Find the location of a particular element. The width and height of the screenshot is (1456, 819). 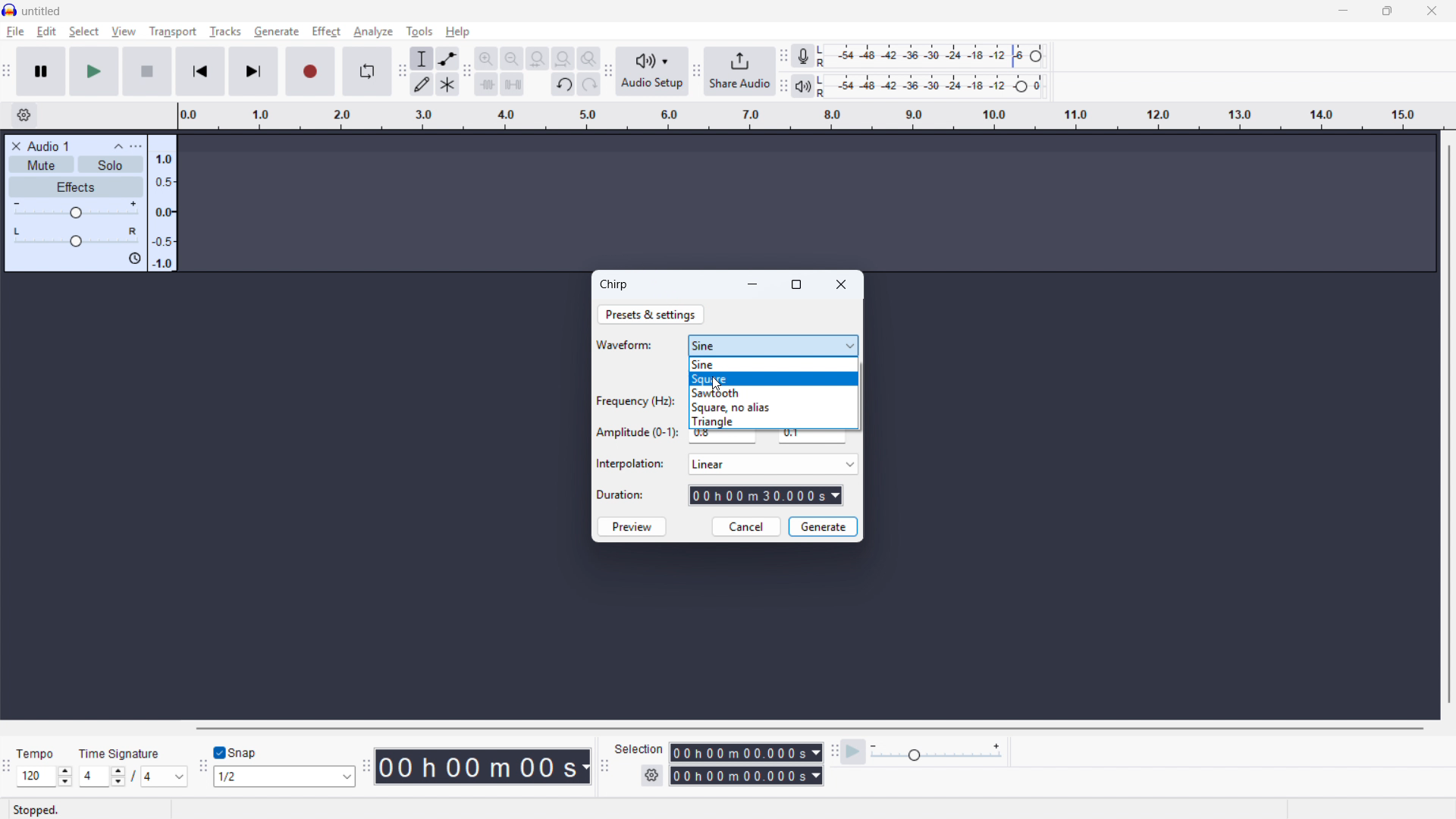

Edit  is located at coordinates (47, 32).